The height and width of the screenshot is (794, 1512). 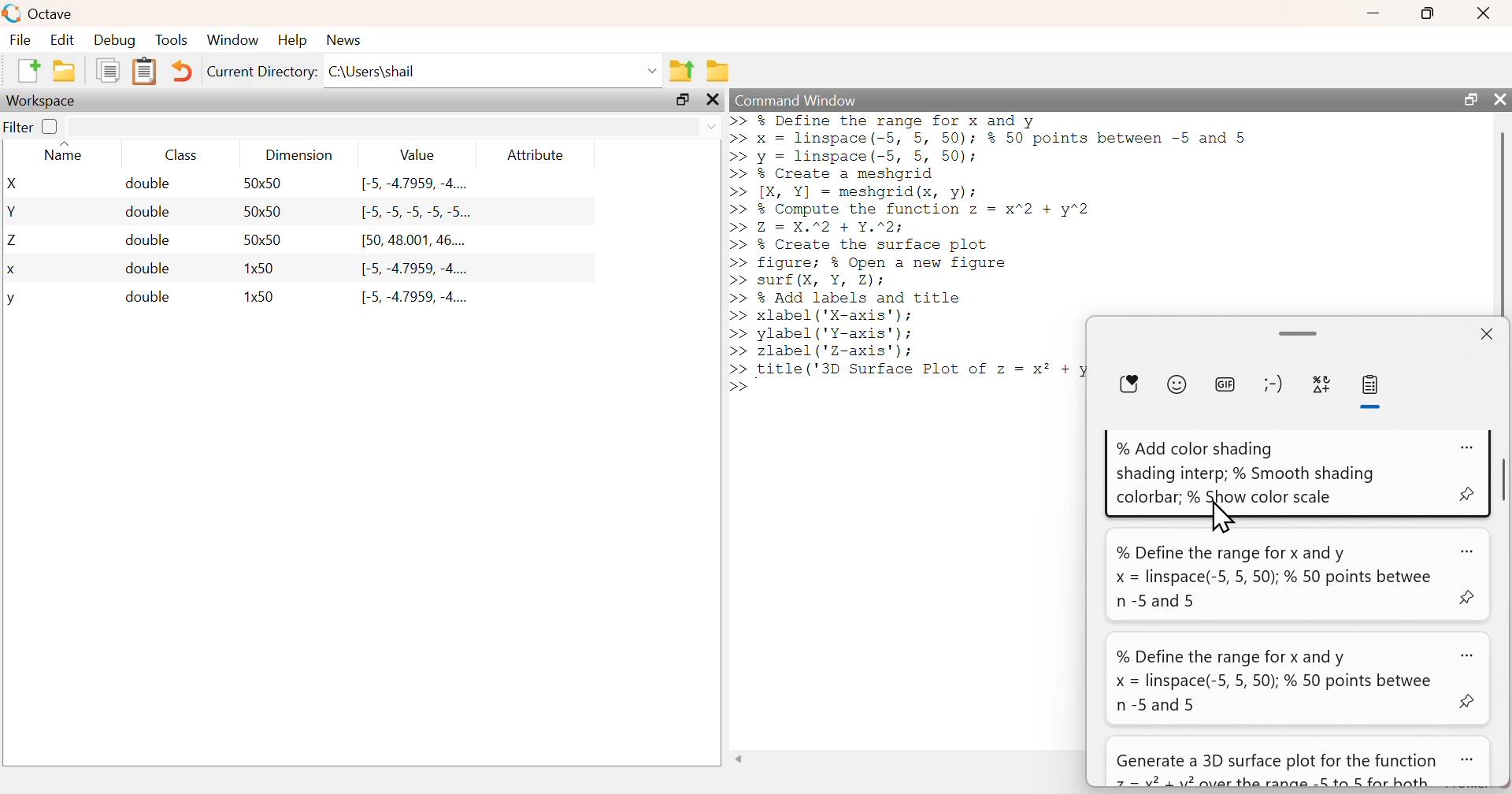 I want to click on [-5, -4.7959, 4..., so click(x=414, y=184).